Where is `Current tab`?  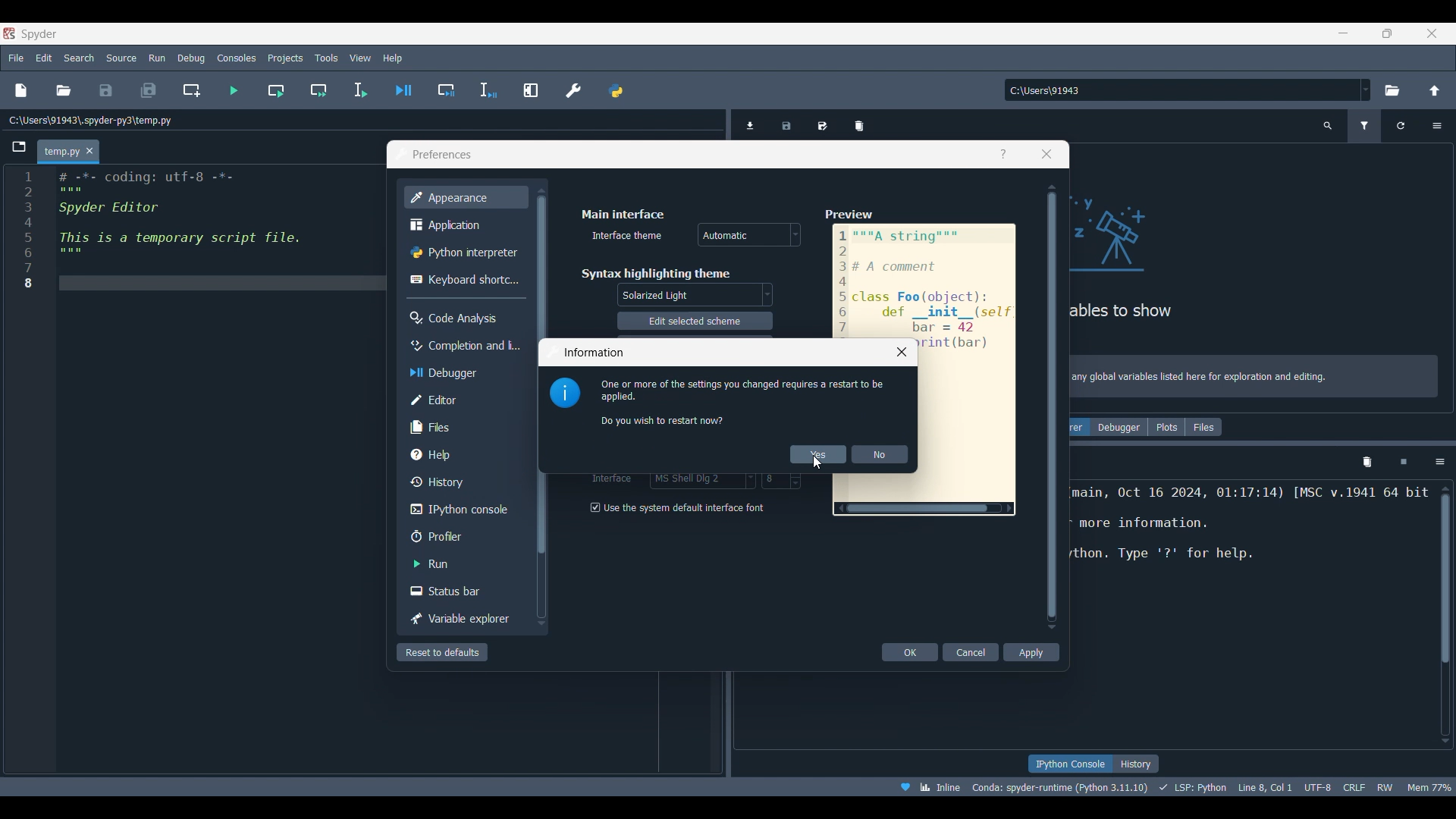
Current tab is located at coordinates (59, 152).